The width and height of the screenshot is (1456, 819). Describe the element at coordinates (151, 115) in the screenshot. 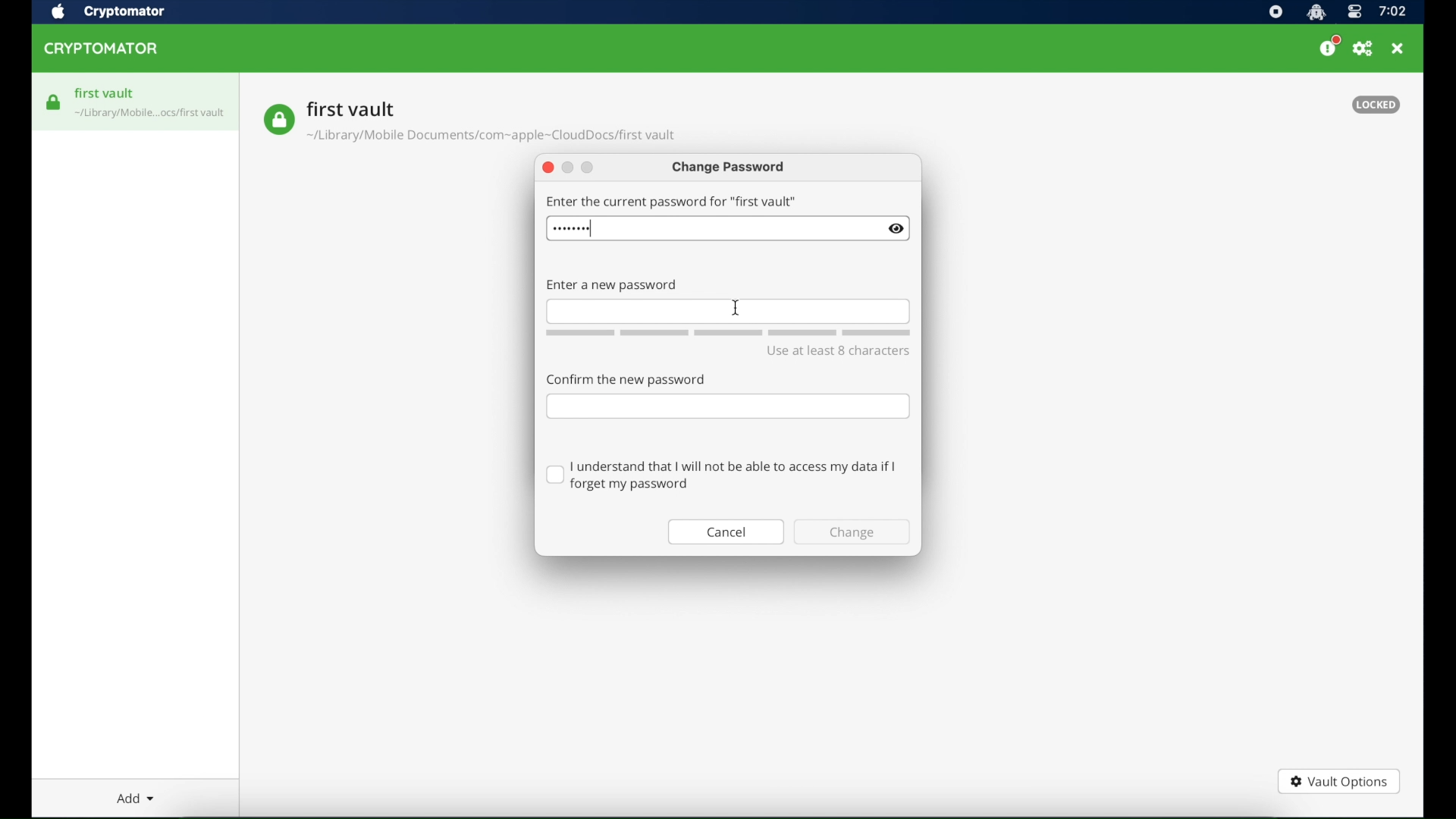

I see `vault icon` at that location.